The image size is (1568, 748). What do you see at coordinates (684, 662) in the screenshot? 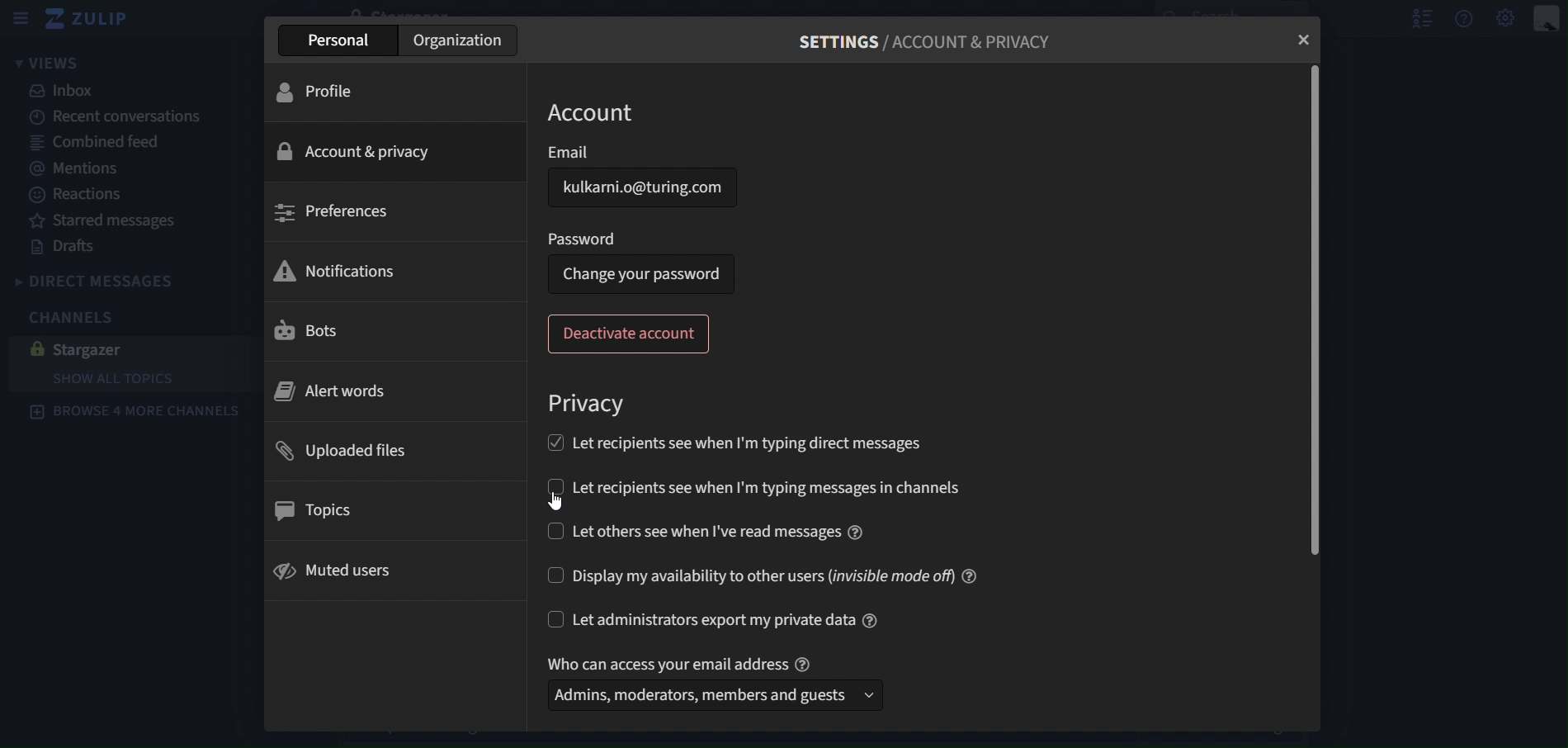
I see `text` at bounding box center [684, 662].